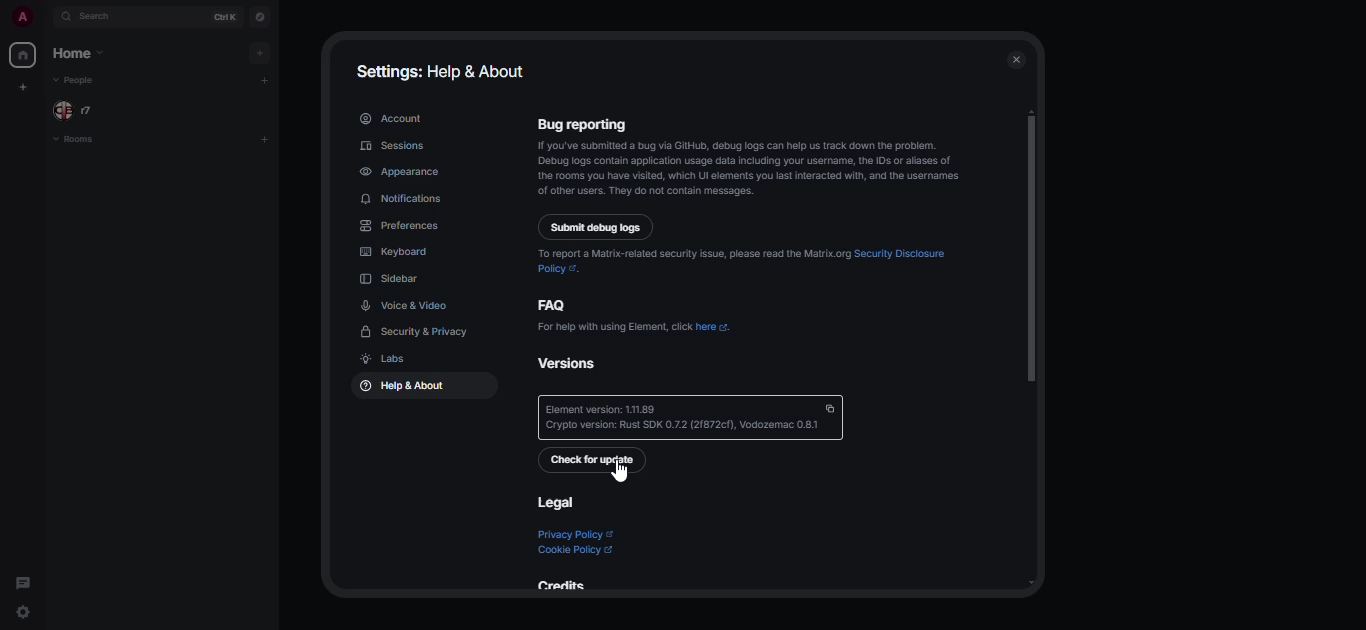 The width and height of the screenshot is (1366, 630). What do you see at coordinates (22, 55) in the screenshot?
I see `home` at bounding box center [22, 55].